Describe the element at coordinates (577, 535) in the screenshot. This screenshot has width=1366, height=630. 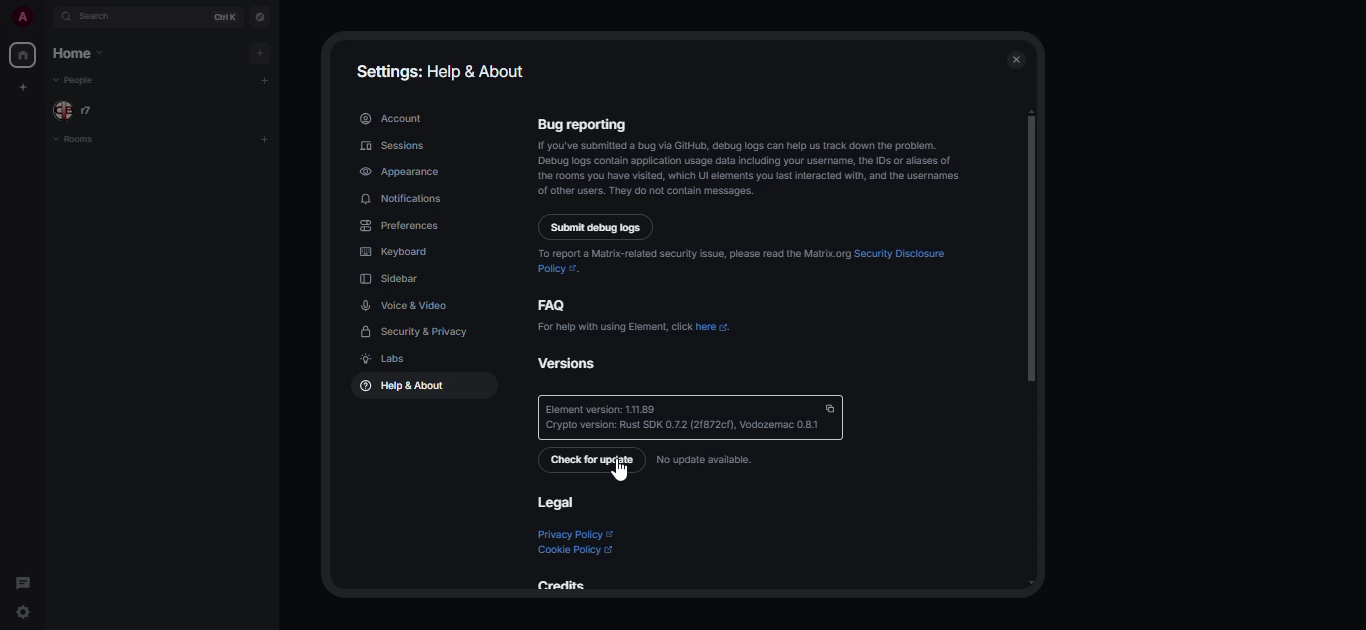
I see `privacy policy` at that location.